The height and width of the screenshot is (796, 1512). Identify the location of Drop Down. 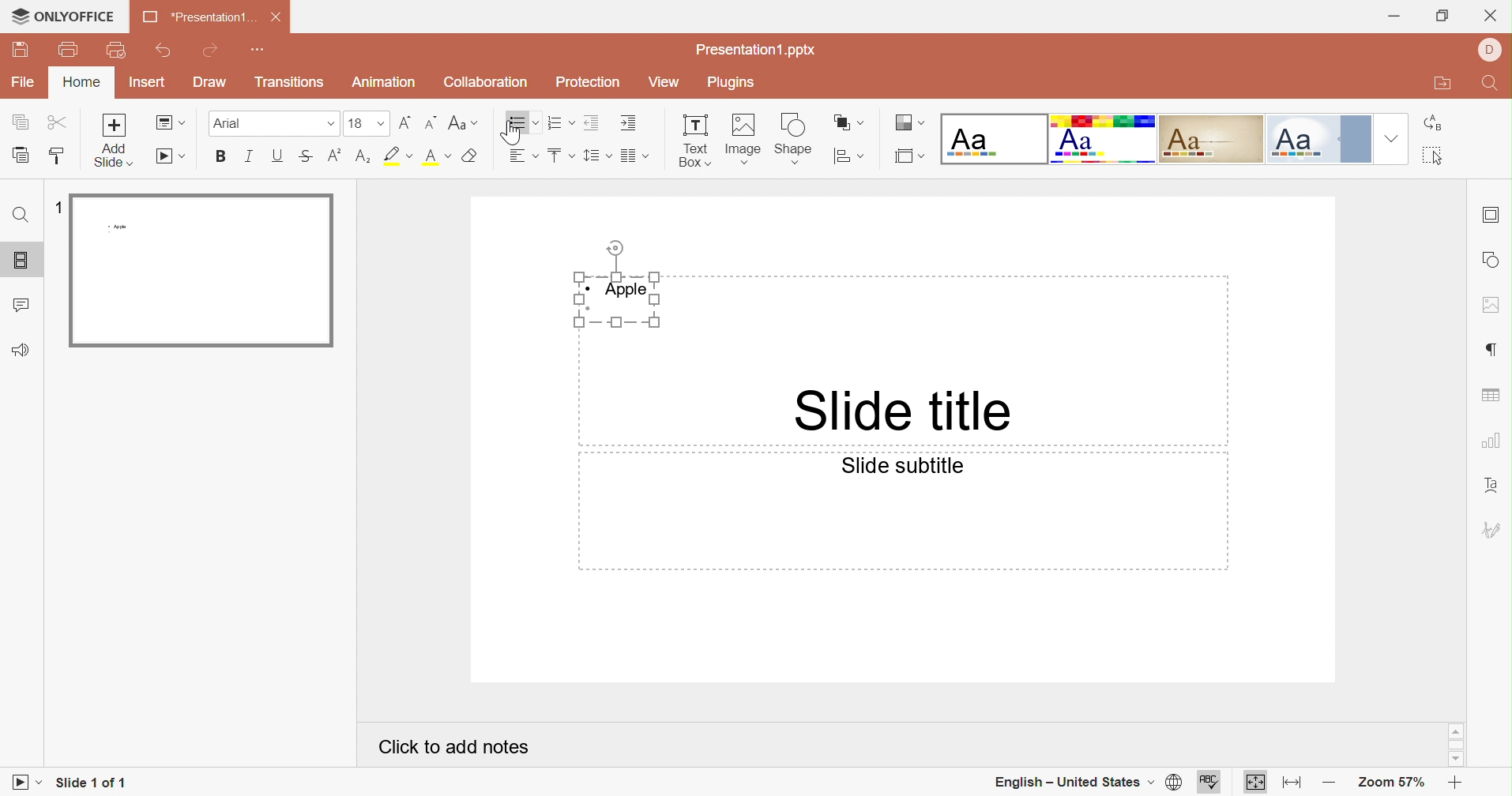
(1390, 138).